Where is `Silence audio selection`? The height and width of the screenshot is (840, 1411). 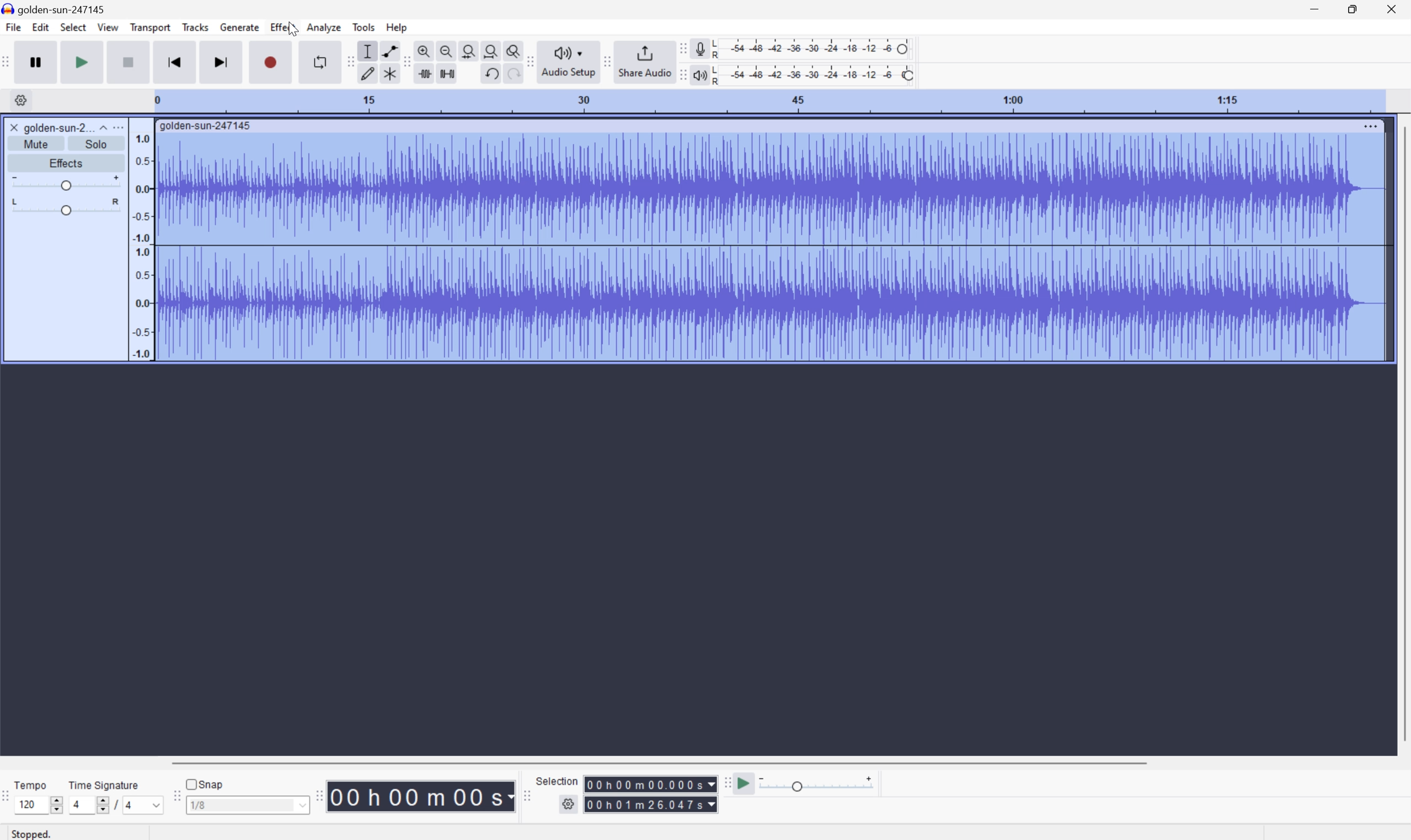 Silence audio selection is located at coordinates (447, 74).